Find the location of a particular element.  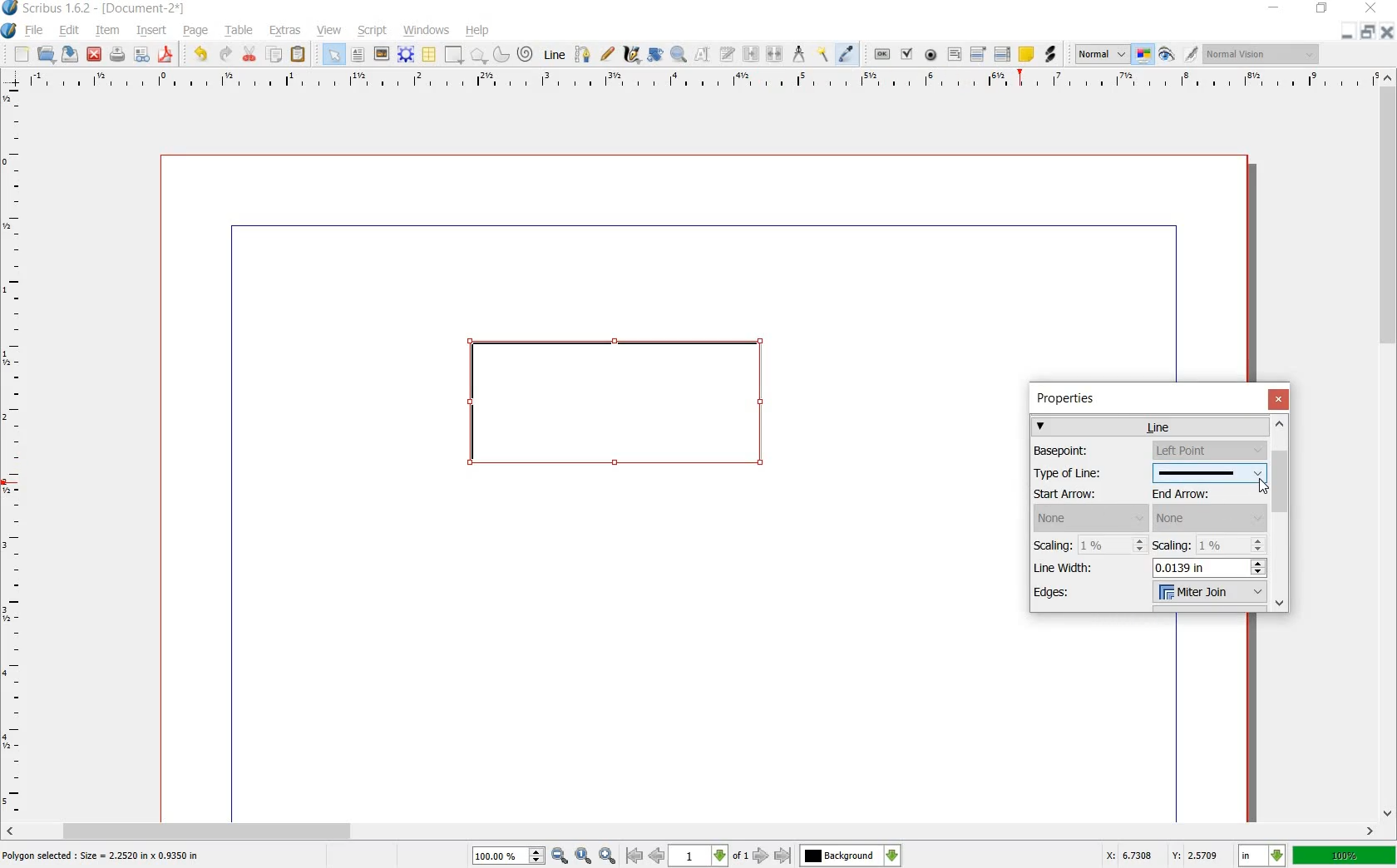

Edges: is located at coordinates (1074, 594).